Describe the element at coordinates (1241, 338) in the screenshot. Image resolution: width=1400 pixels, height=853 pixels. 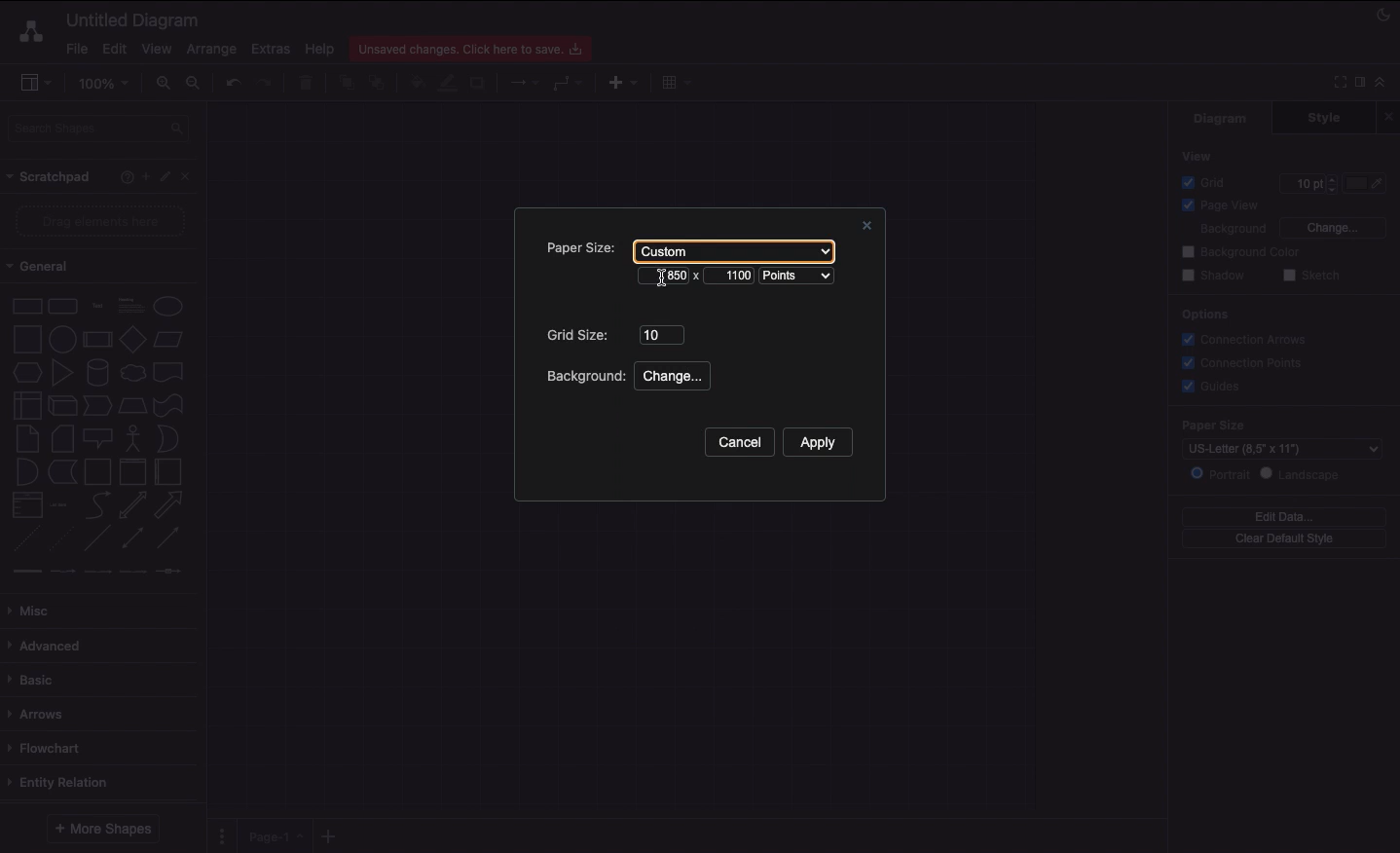
I see `Correction arrows` at that location.